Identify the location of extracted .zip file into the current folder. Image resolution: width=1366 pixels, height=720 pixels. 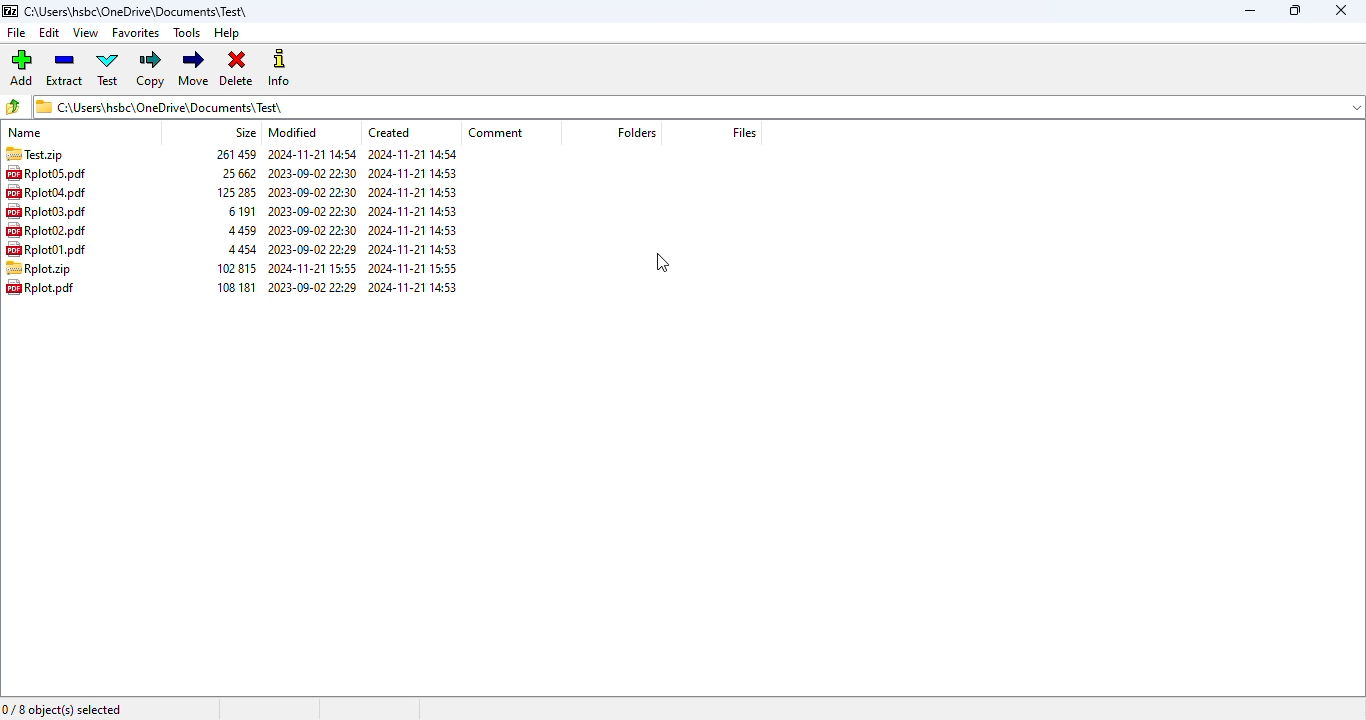
(40, 268).